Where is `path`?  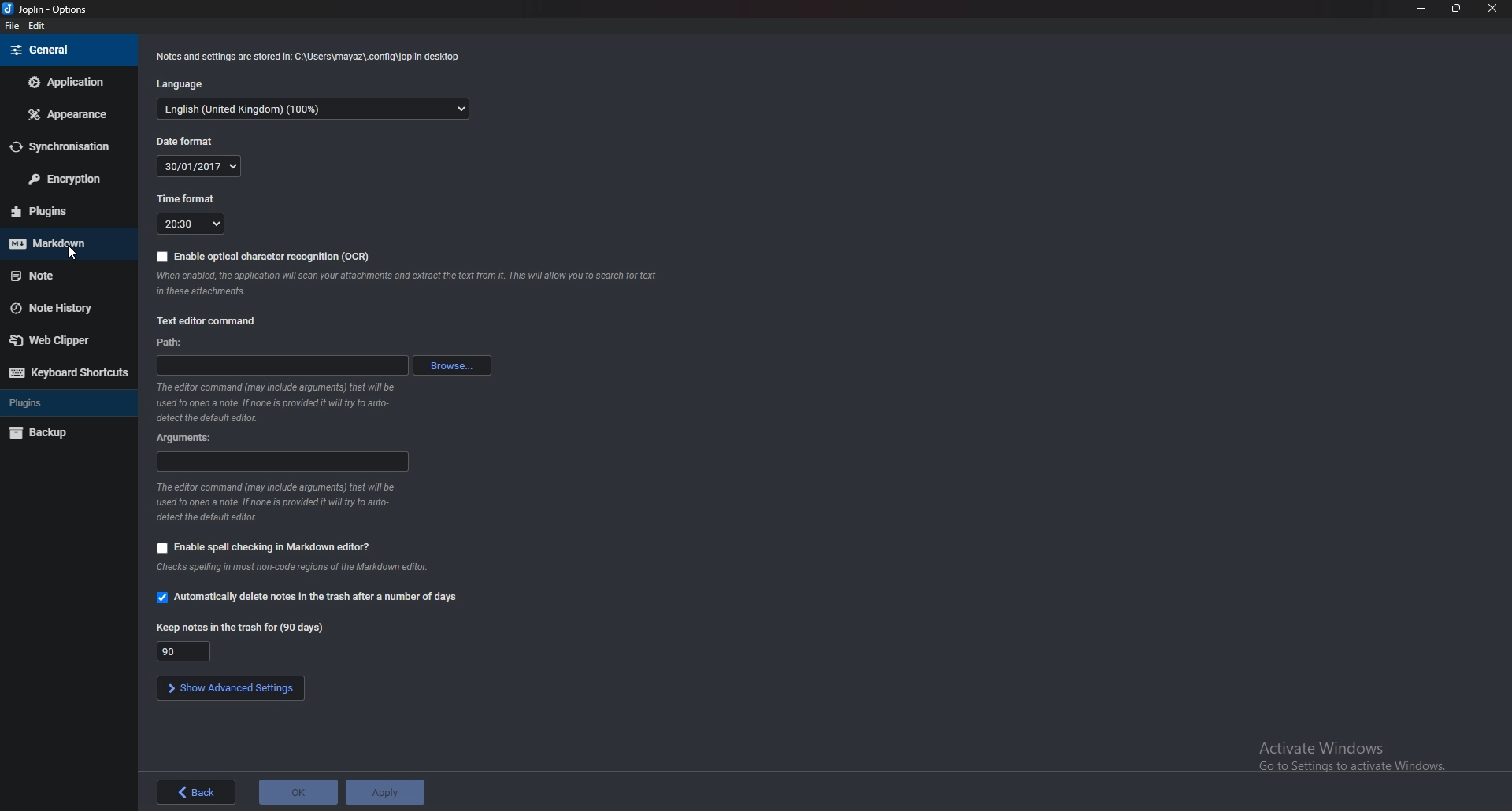 path is located at coordinates (280, 366).